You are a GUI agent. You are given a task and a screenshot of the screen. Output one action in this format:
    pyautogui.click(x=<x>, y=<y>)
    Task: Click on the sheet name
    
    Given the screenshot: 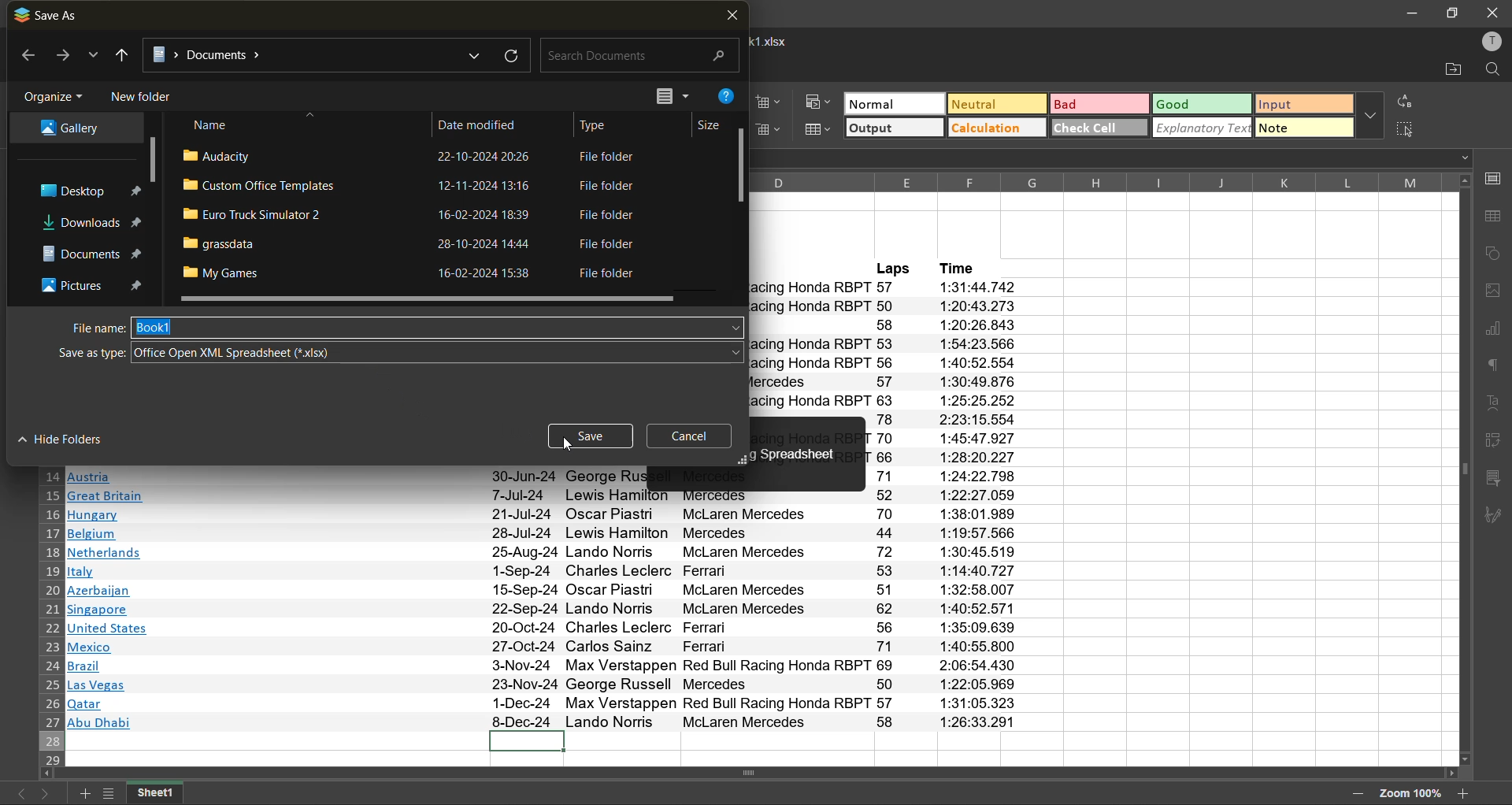 What is the action you would take?
    pyautogui.click(x=164, y=794)
    